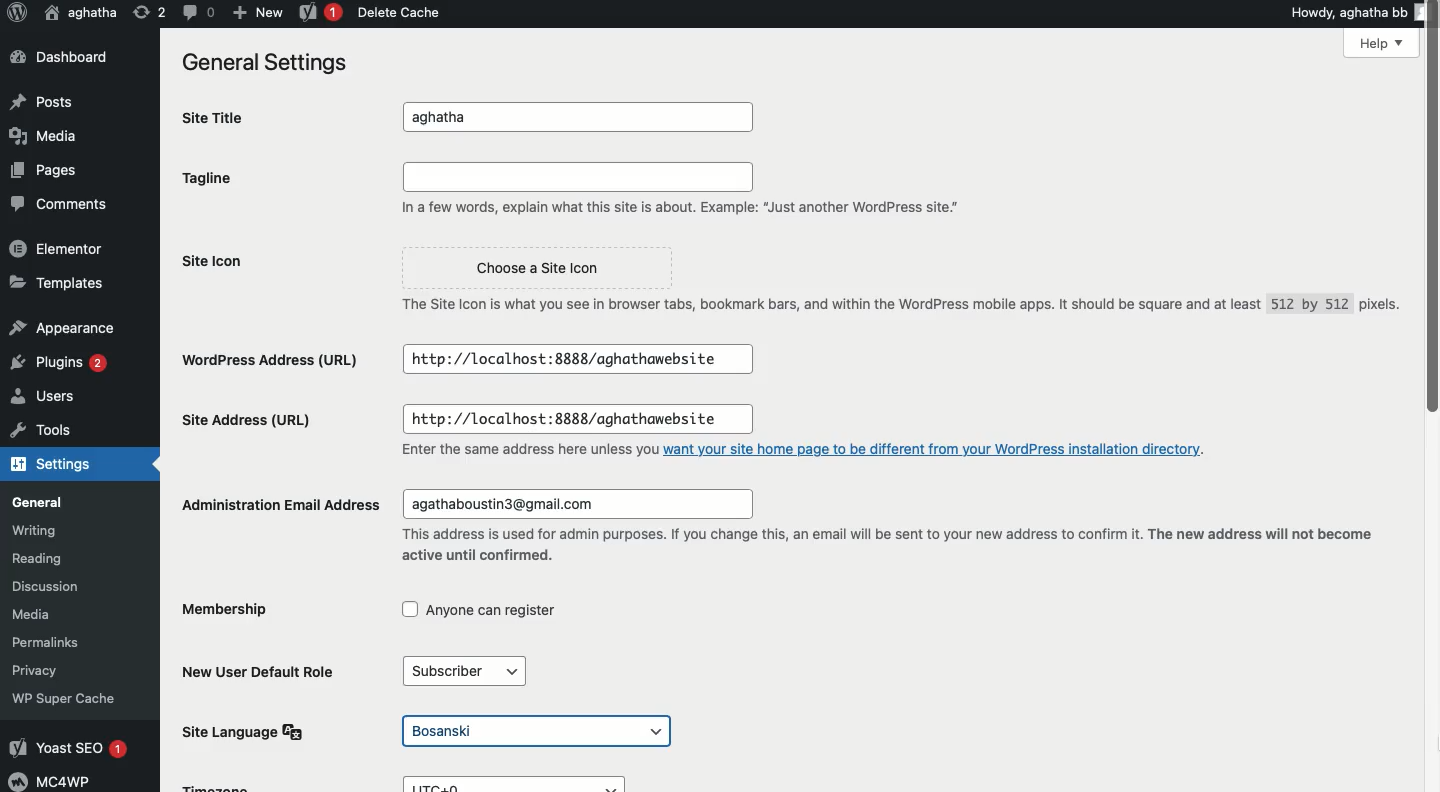  I want to click on http://localhost:8888/aghathawebsite, so click(568, 420).